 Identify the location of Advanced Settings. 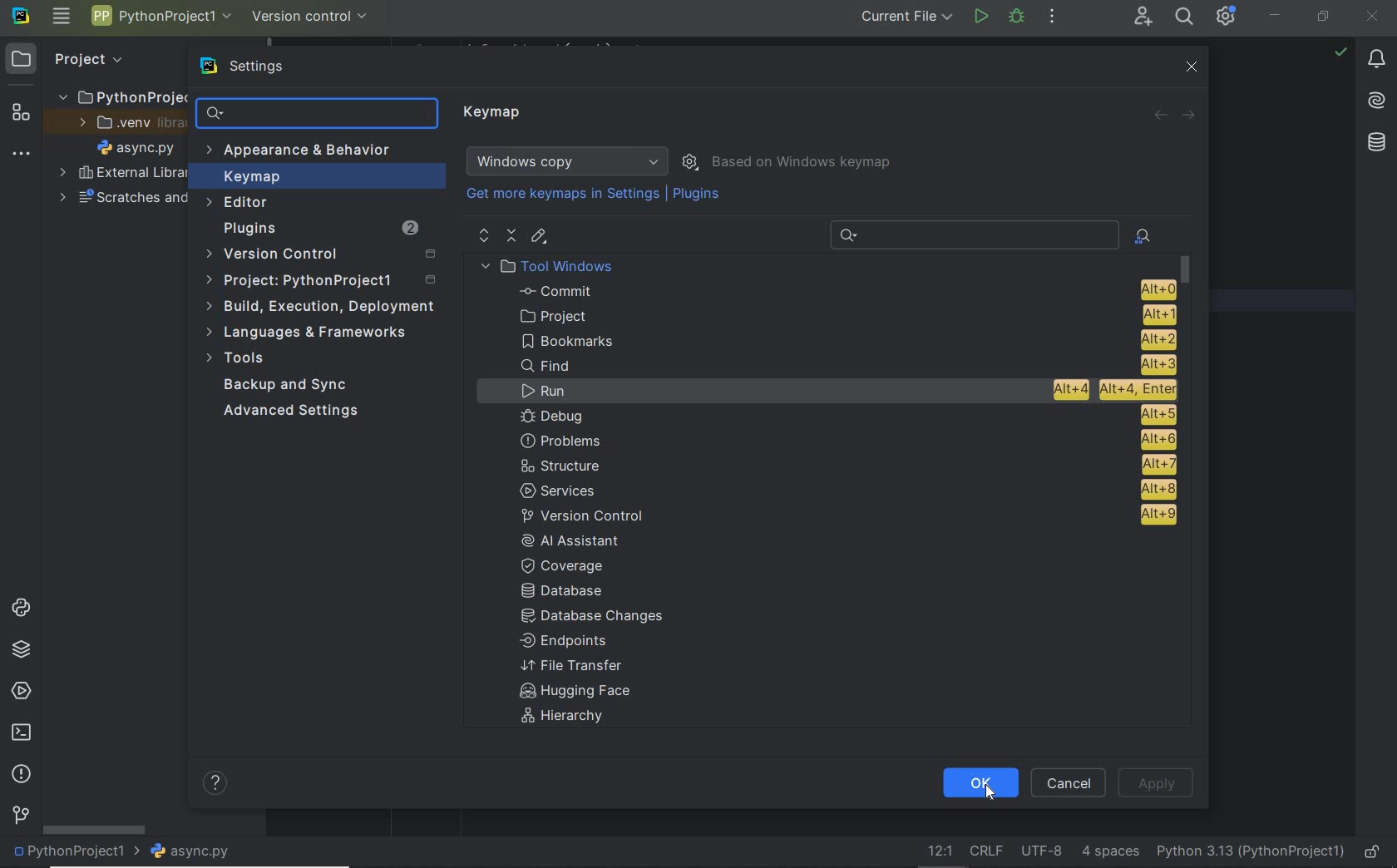
(294, 412).